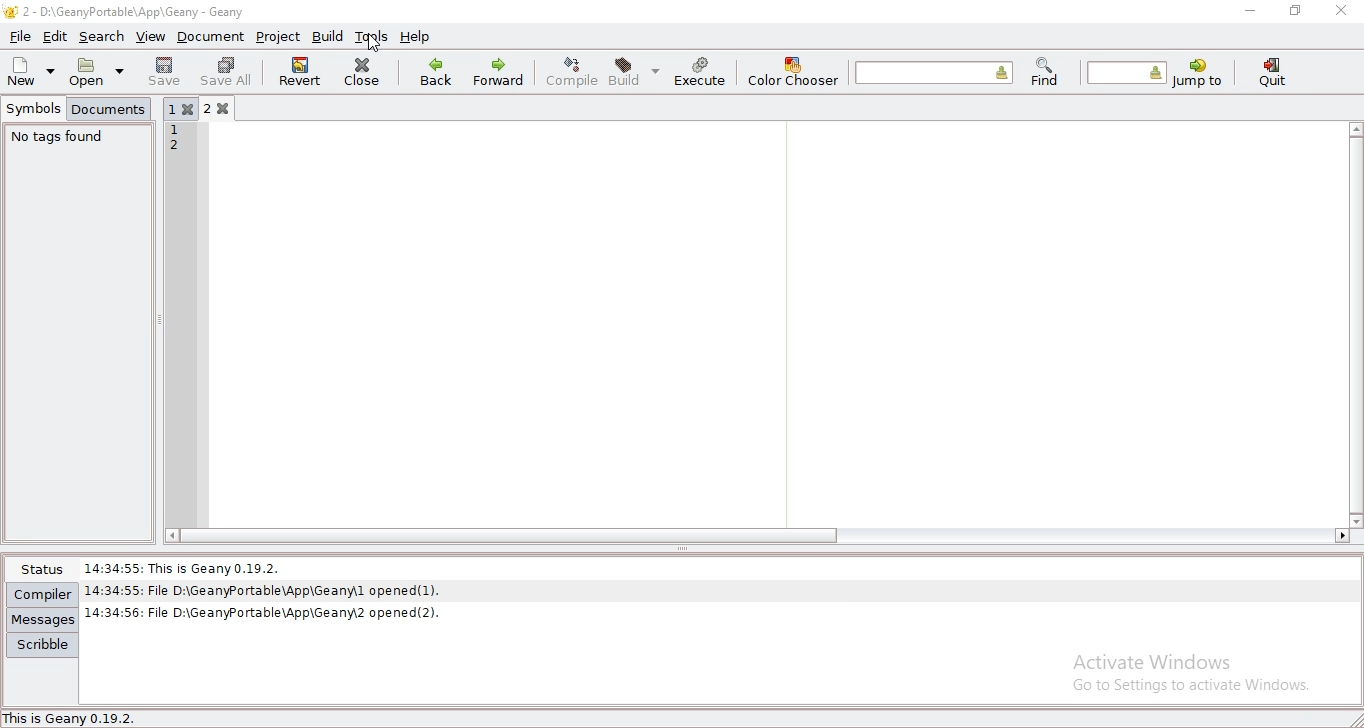 This screenshot has height=728, width=1364. Describe the element at coordinates (373, 52) in the screenshot. I see `cursor` at that location.